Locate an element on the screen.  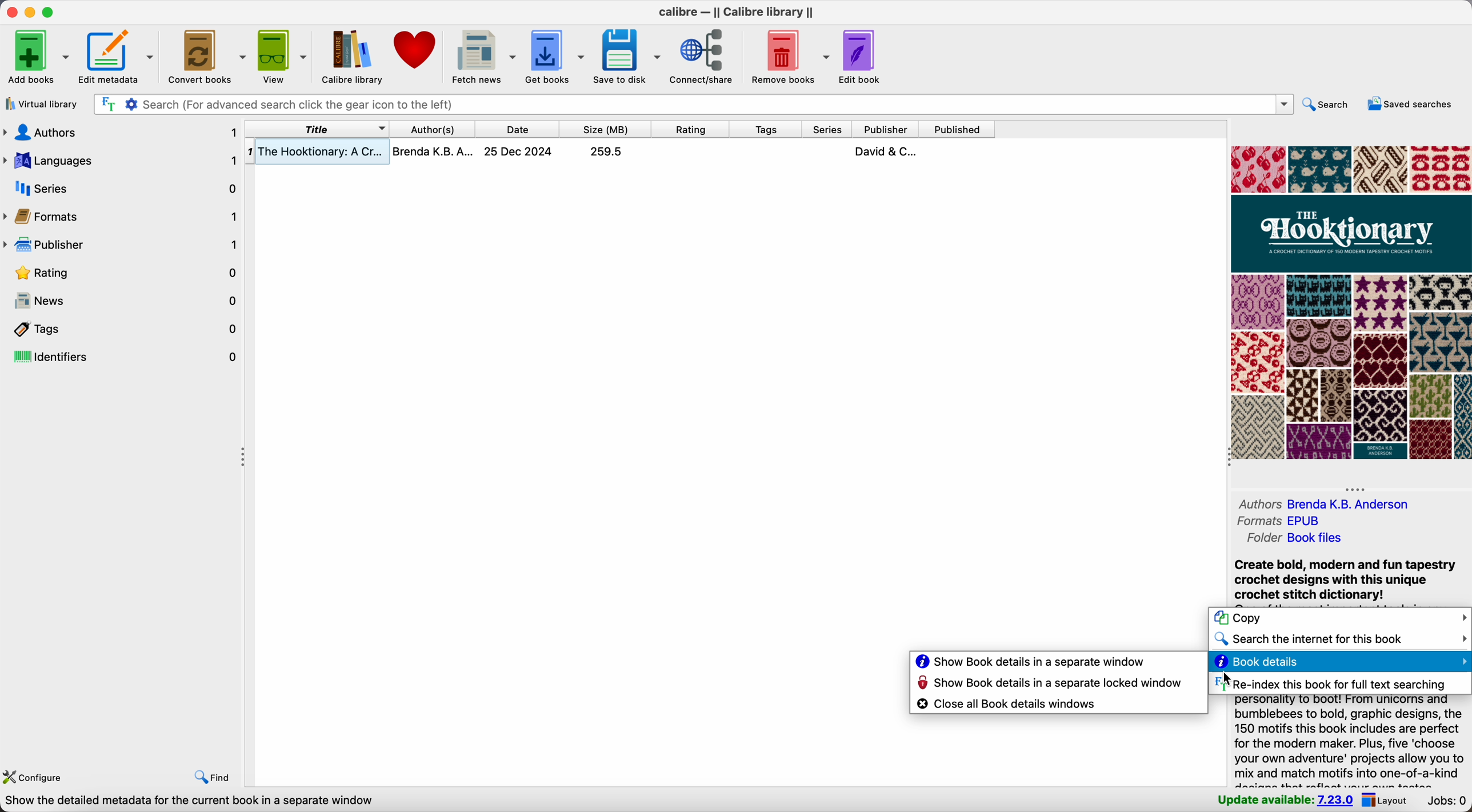
layout is located at coordinates (1389, 801).